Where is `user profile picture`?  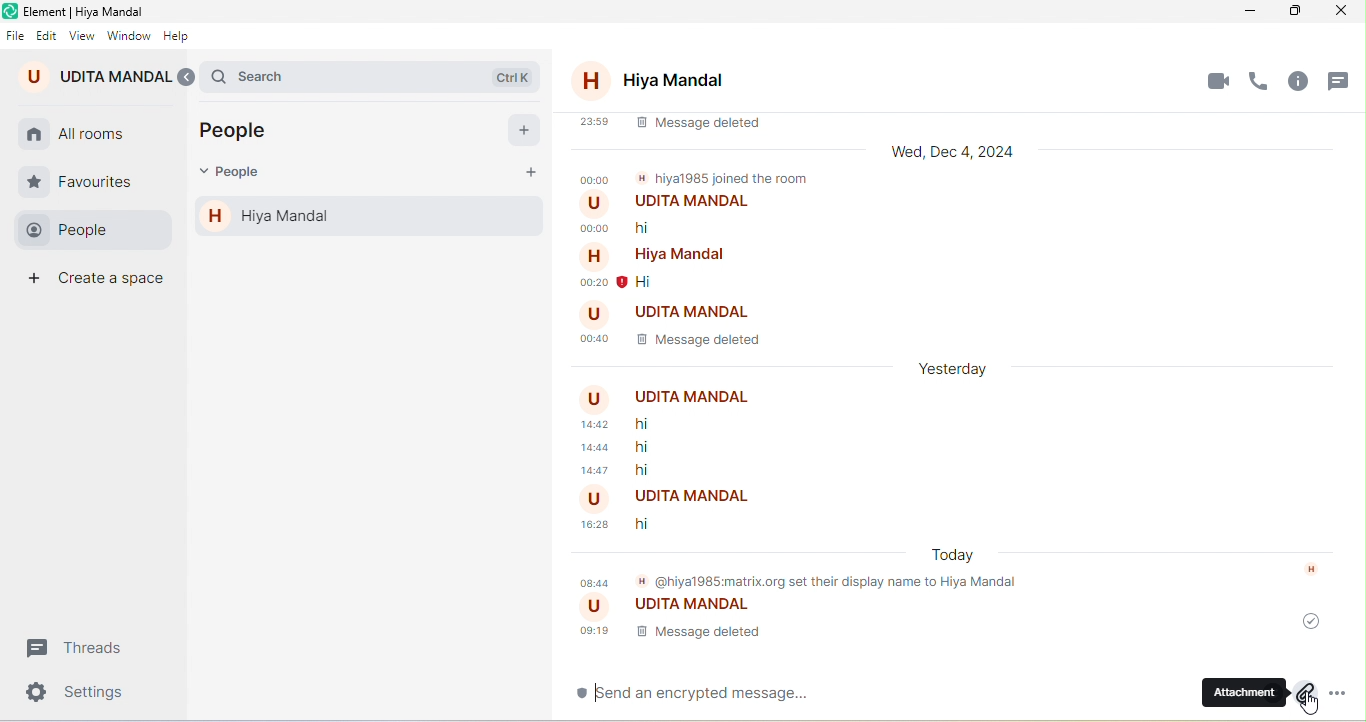 user profile picture is located at coordinates (592, 314).